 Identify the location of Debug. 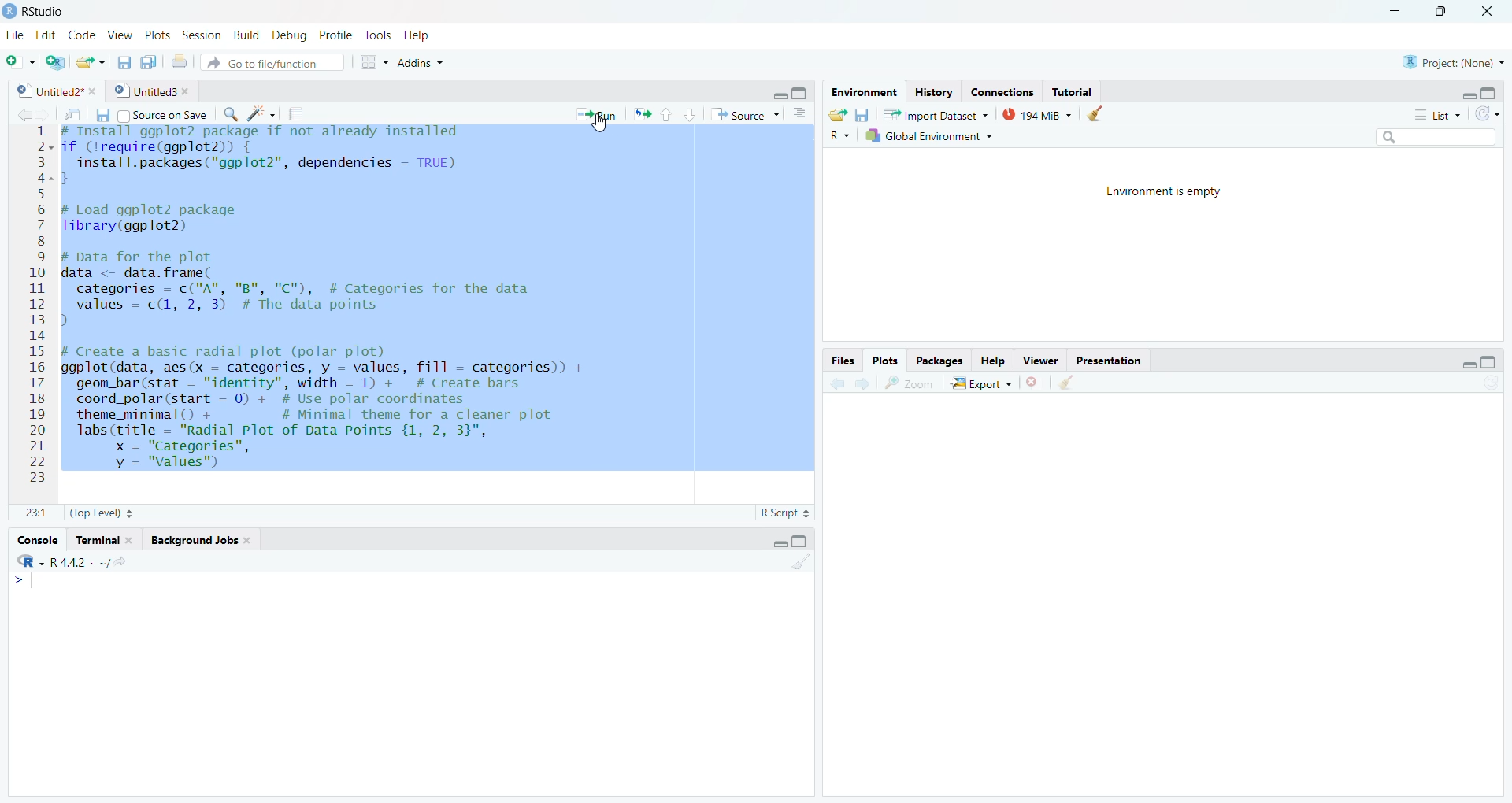
(288, 36).